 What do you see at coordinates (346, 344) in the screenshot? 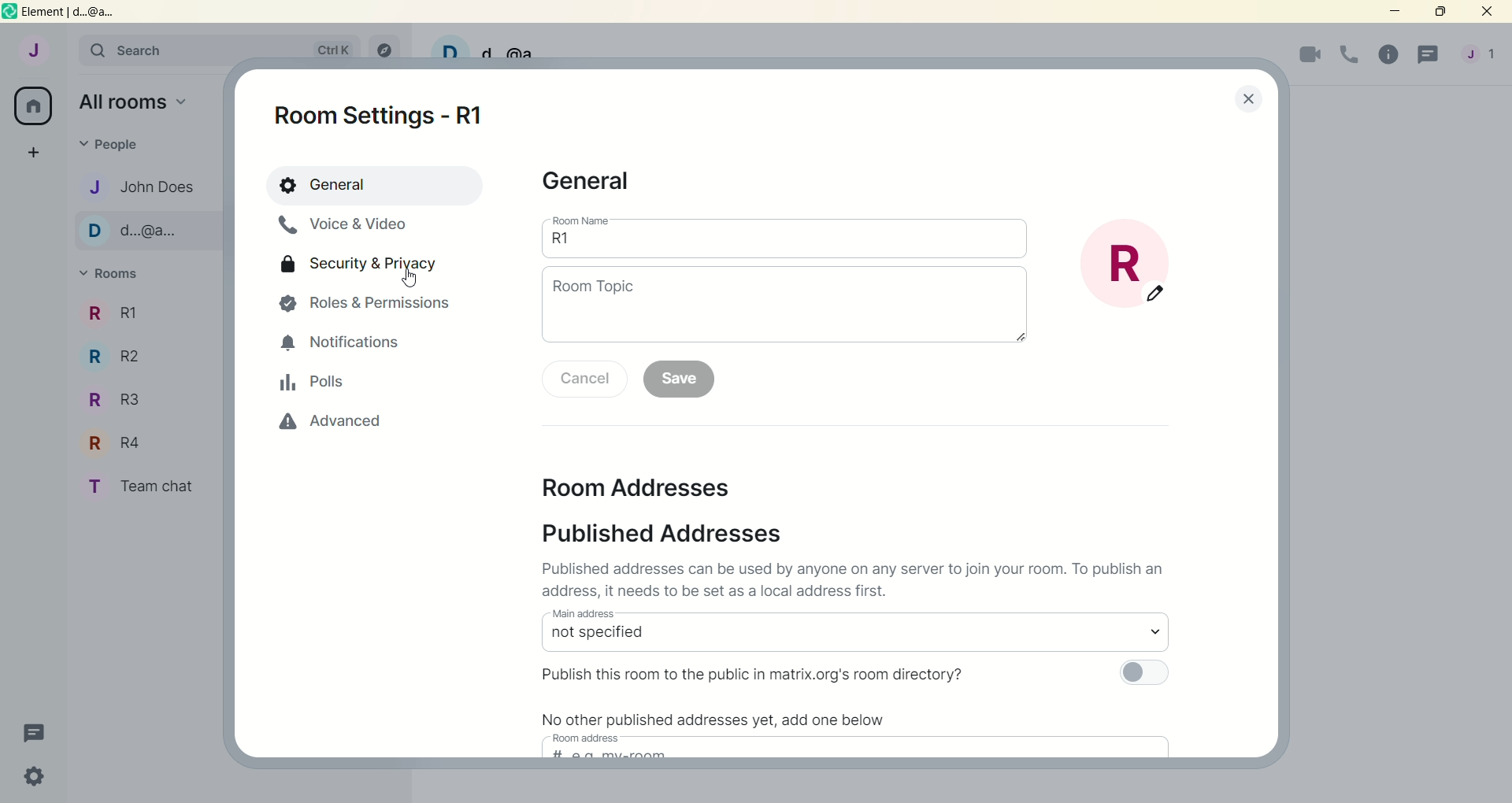
I see `notifications` at bounding box center [346, 344].